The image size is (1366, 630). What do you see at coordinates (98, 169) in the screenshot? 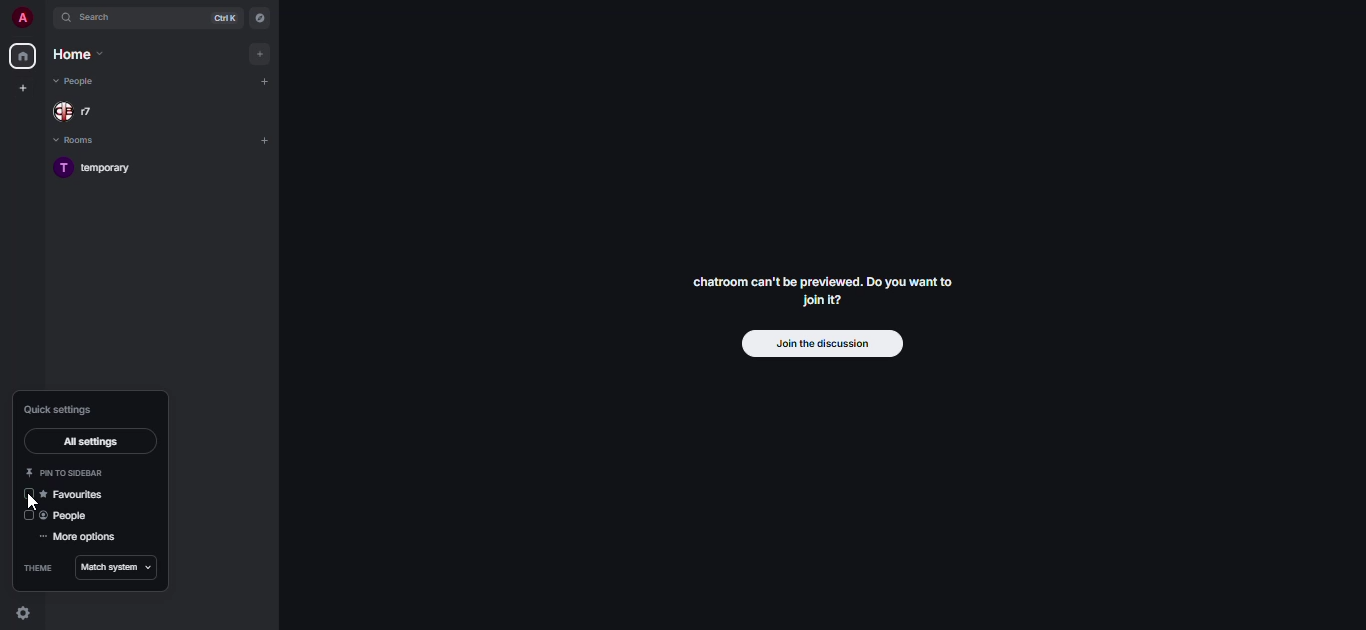
I see `room` at bounding box center [98, 169].